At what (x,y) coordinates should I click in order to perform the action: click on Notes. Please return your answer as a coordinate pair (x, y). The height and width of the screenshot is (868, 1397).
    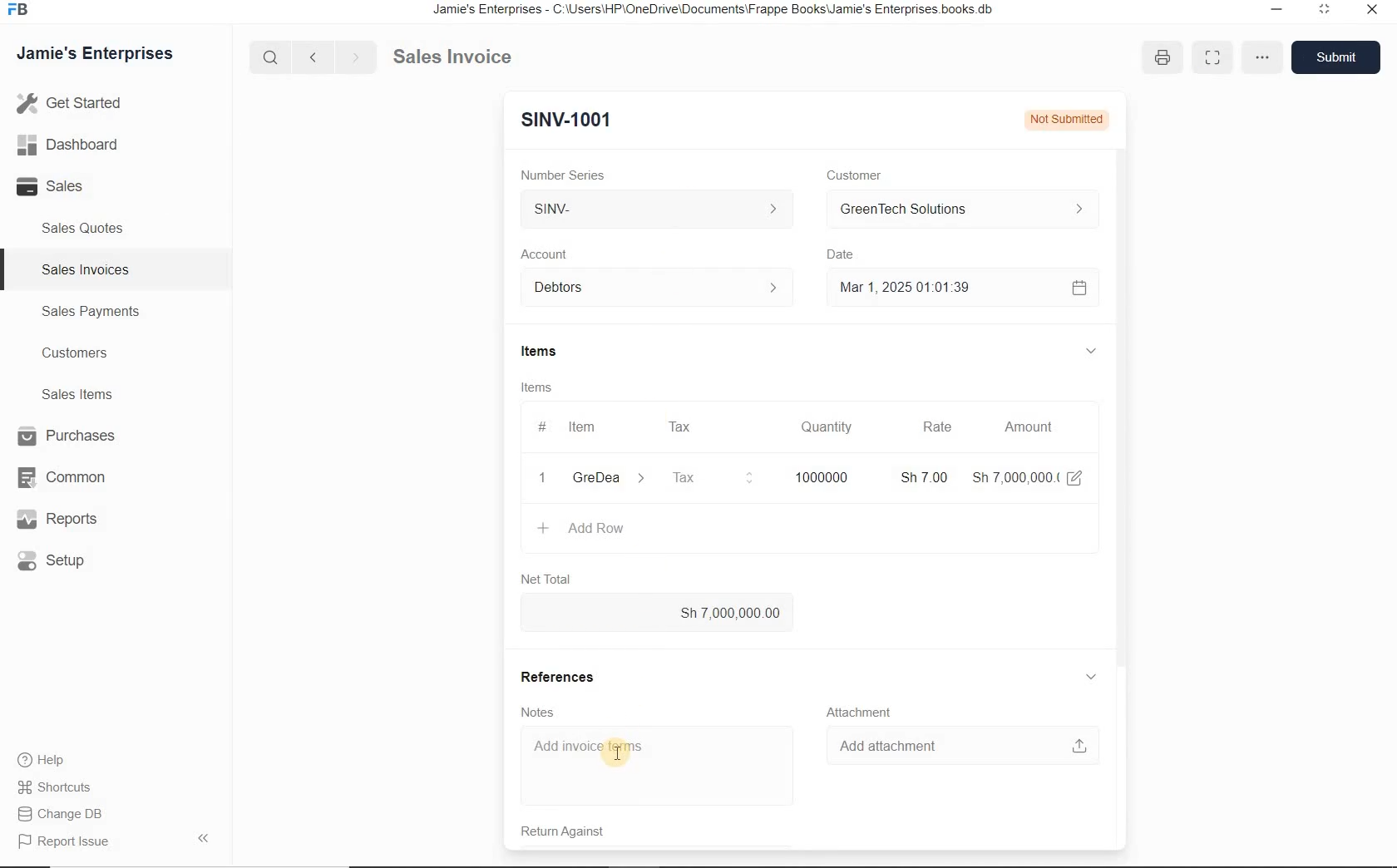
    Looking at the image, I should click on (531, 711).